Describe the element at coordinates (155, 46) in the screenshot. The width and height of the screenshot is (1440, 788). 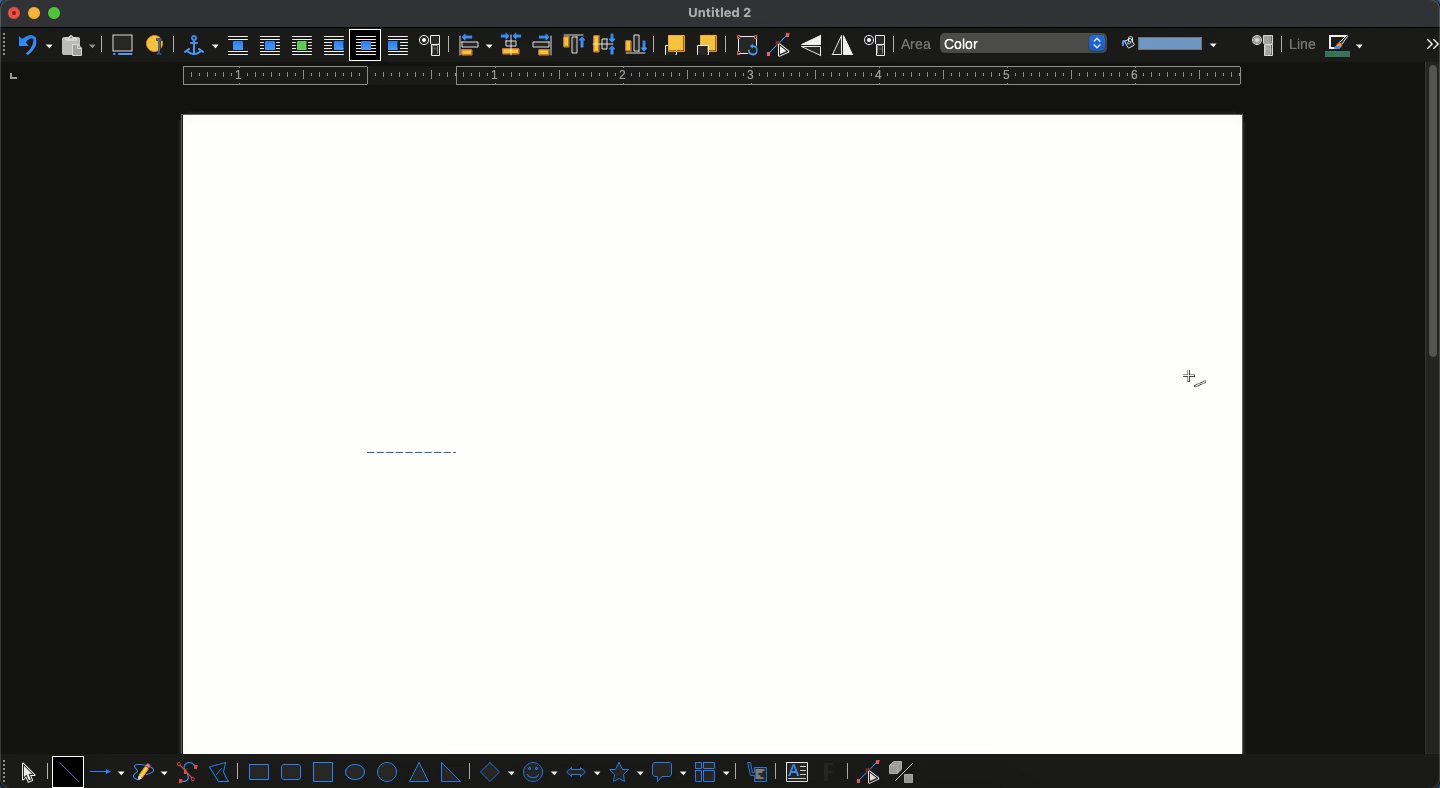
I see `a label to identify object` at that location.